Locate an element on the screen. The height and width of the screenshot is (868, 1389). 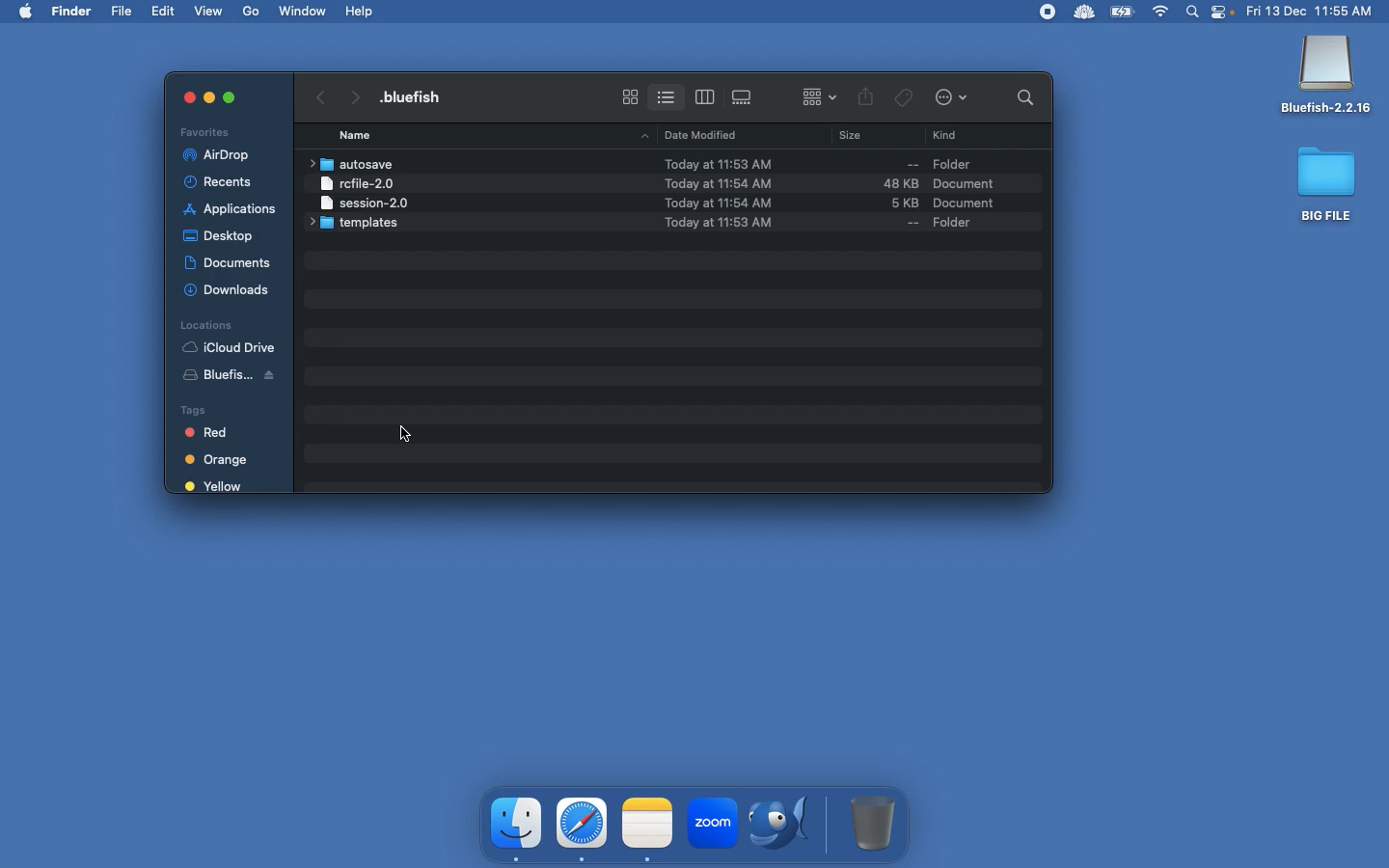
Finder  is located at coordinates (72, 12).